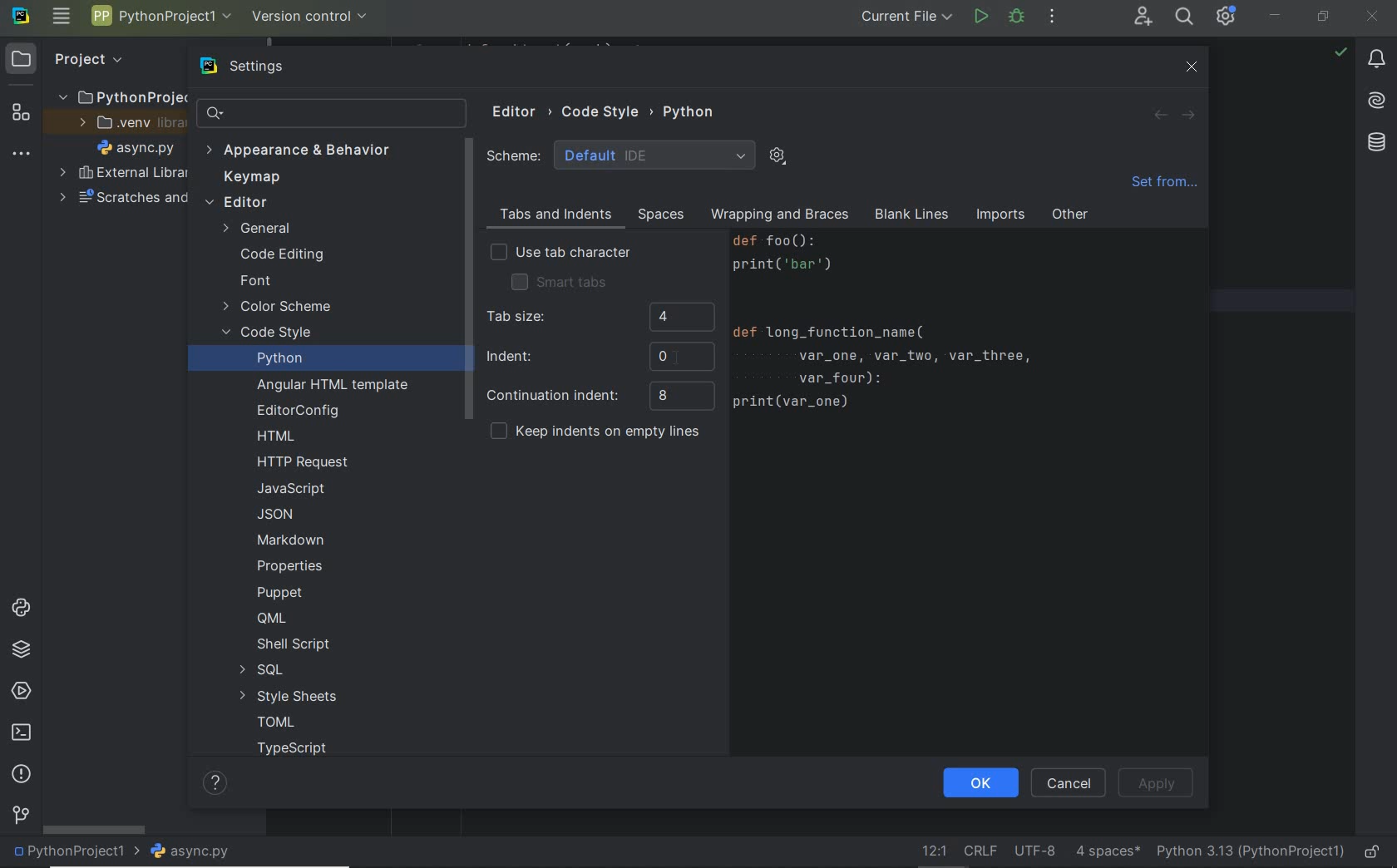  I want to click on notifications, so click(1376, 60).